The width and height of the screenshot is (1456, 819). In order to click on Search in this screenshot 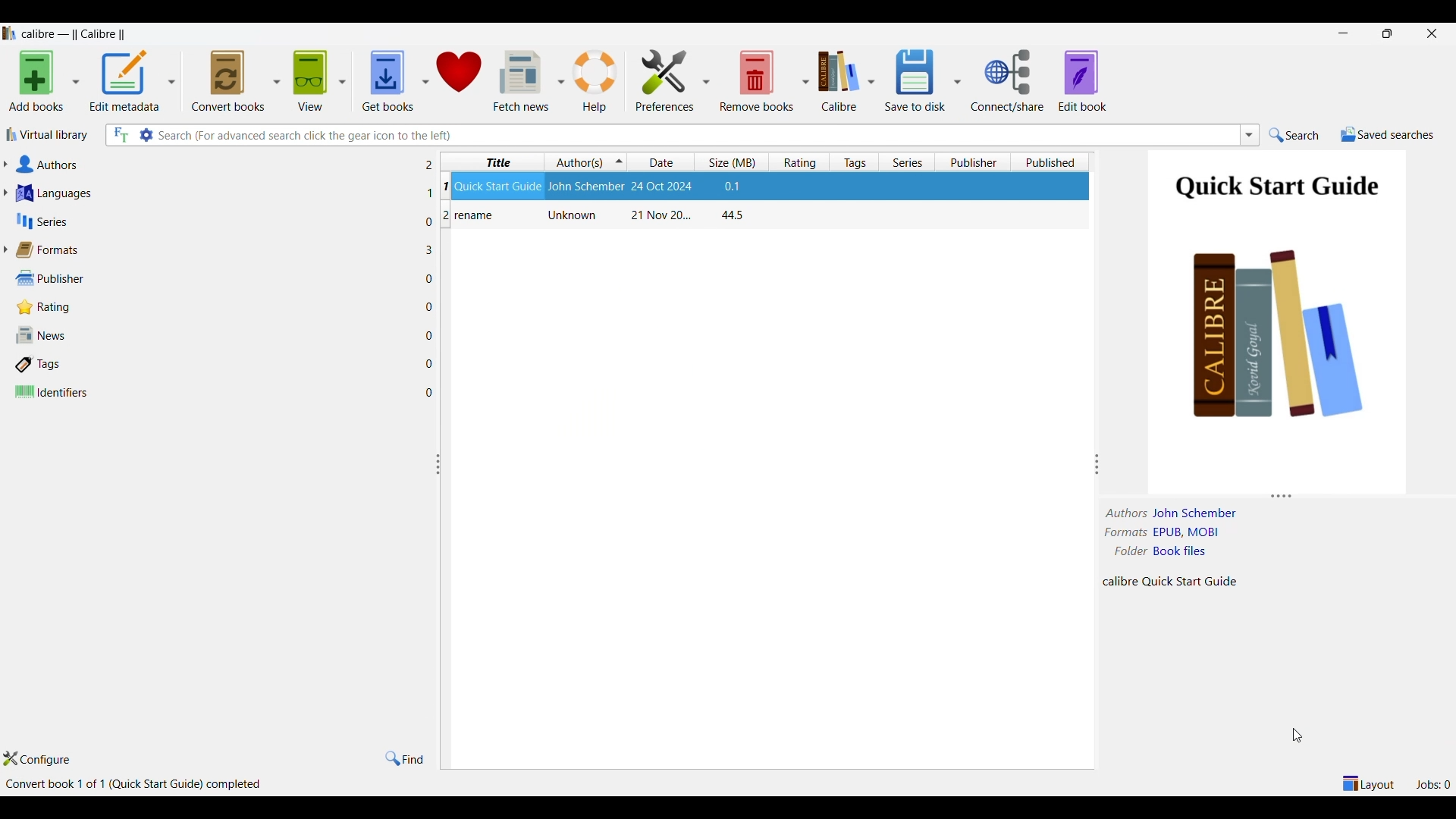, I will do `click(1294, 136)`.